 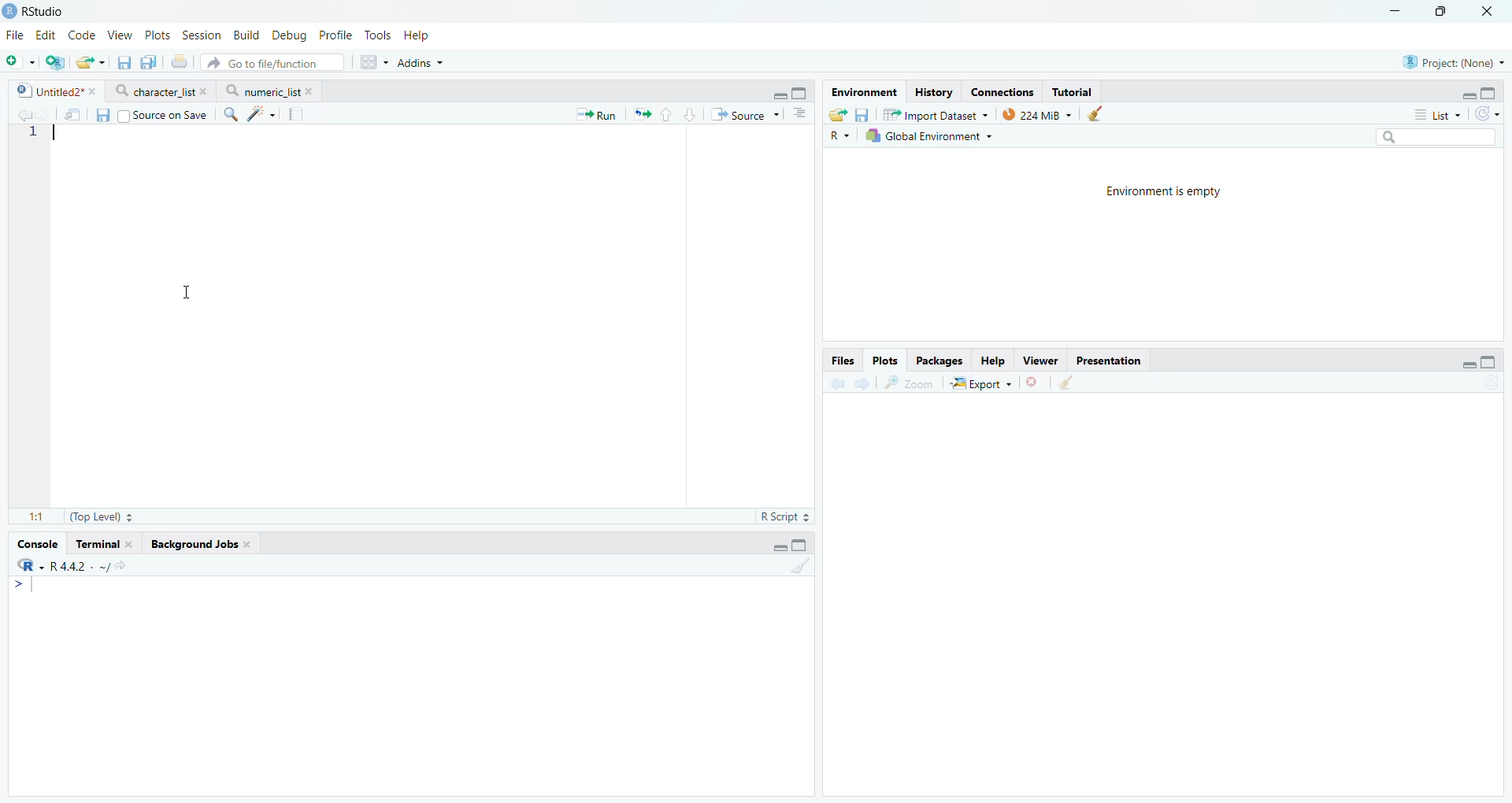 What do you see at coordinates (1108, 361) in the screenshot?
I see `Presentation` at bounding box center [1108, 361].